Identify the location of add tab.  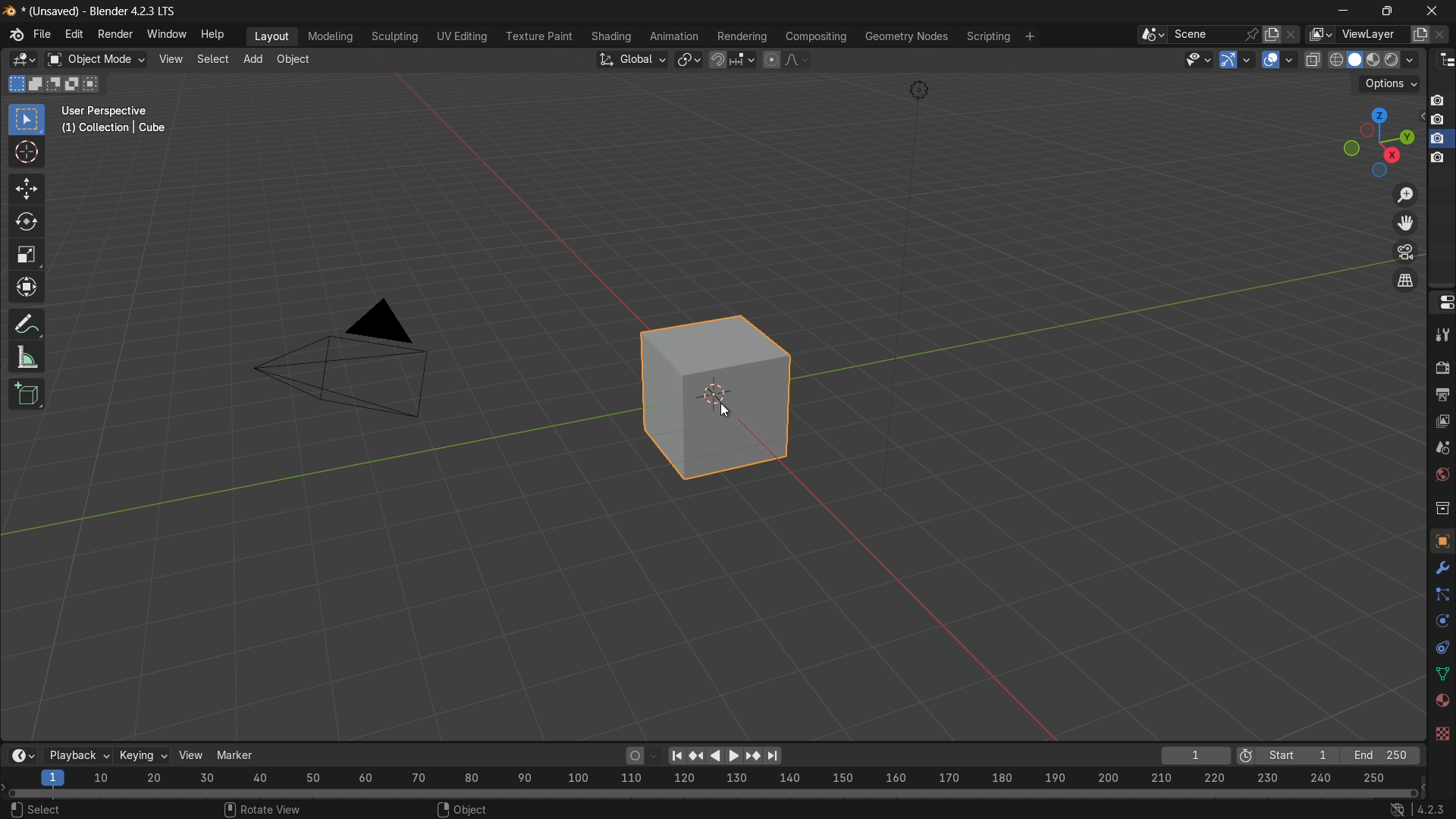
(256, 61).